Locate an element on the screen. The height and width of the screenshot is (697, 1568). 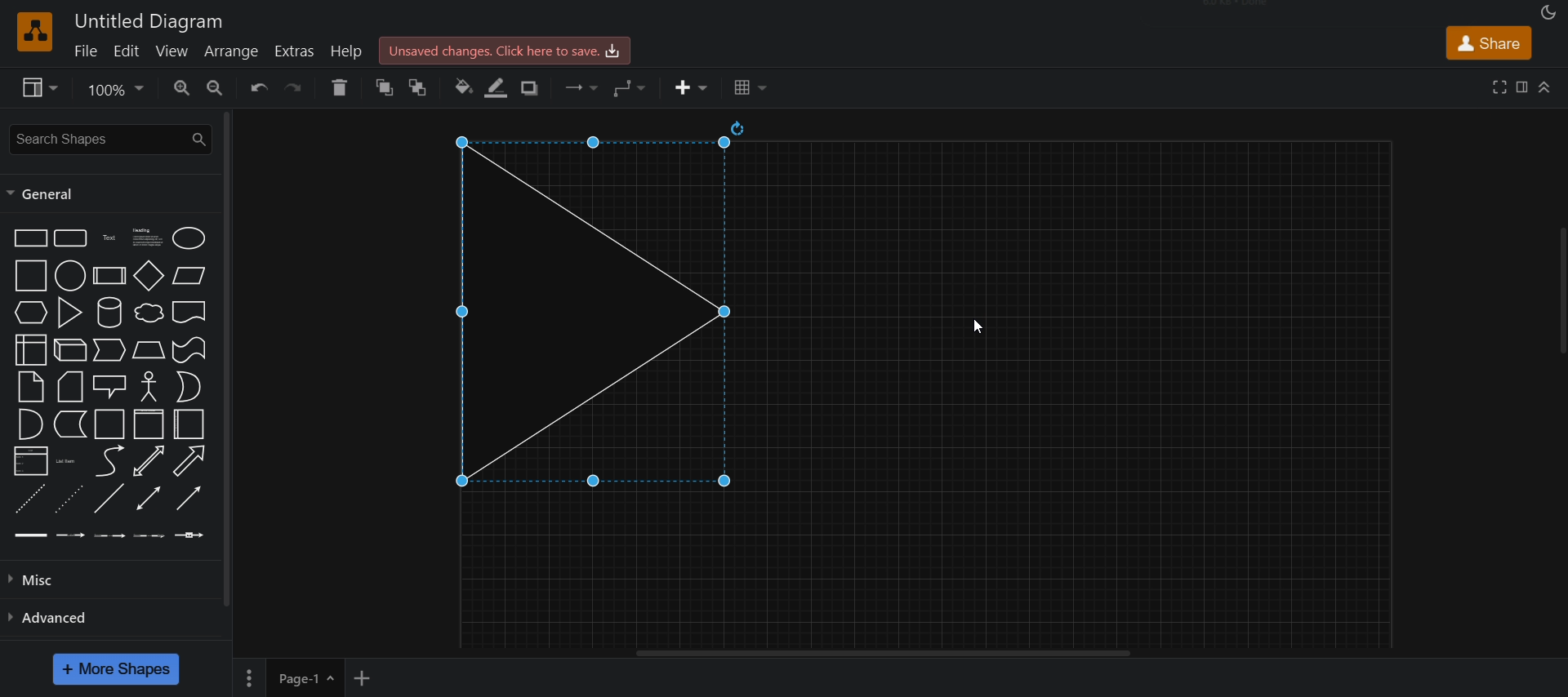
edit is located at coordinates (129, 50).